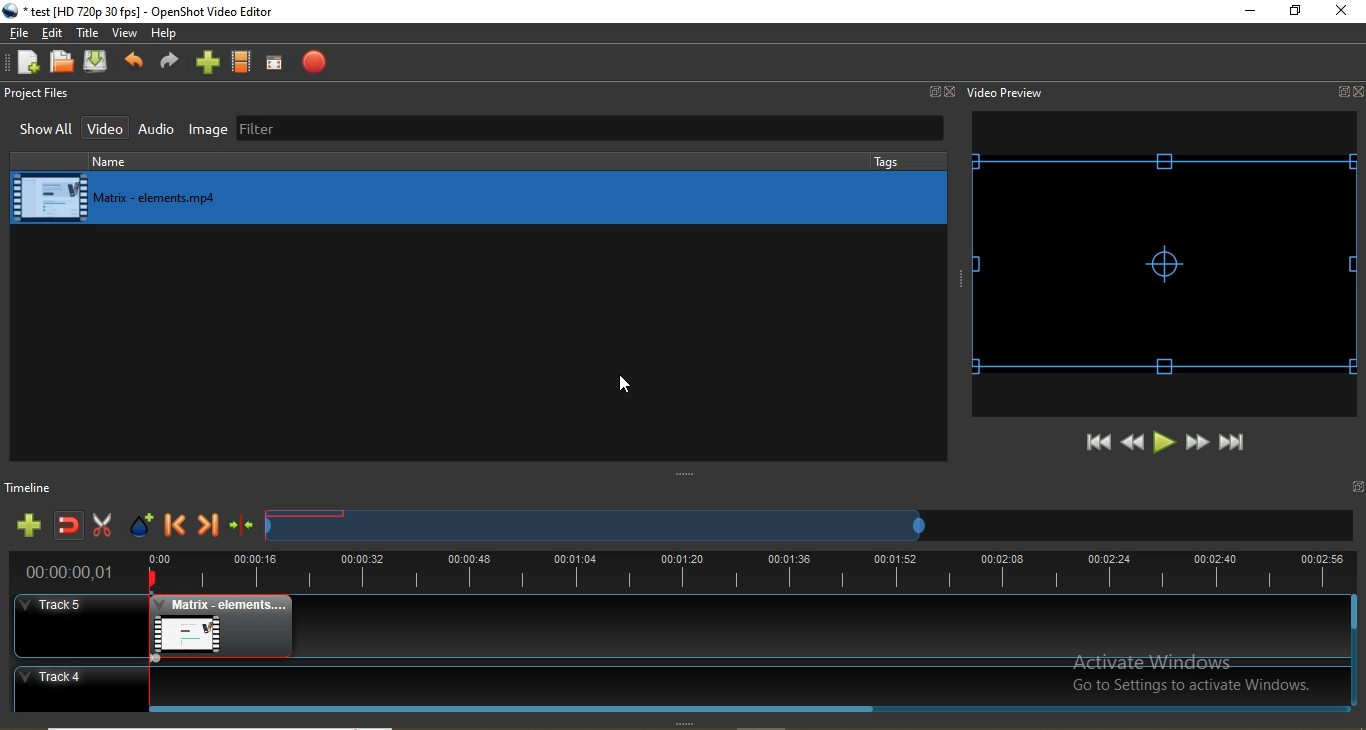  What do you see at coordinates (1293, 11) in the screenshot?
I see `Restore` at bounding box center [1293, 11].